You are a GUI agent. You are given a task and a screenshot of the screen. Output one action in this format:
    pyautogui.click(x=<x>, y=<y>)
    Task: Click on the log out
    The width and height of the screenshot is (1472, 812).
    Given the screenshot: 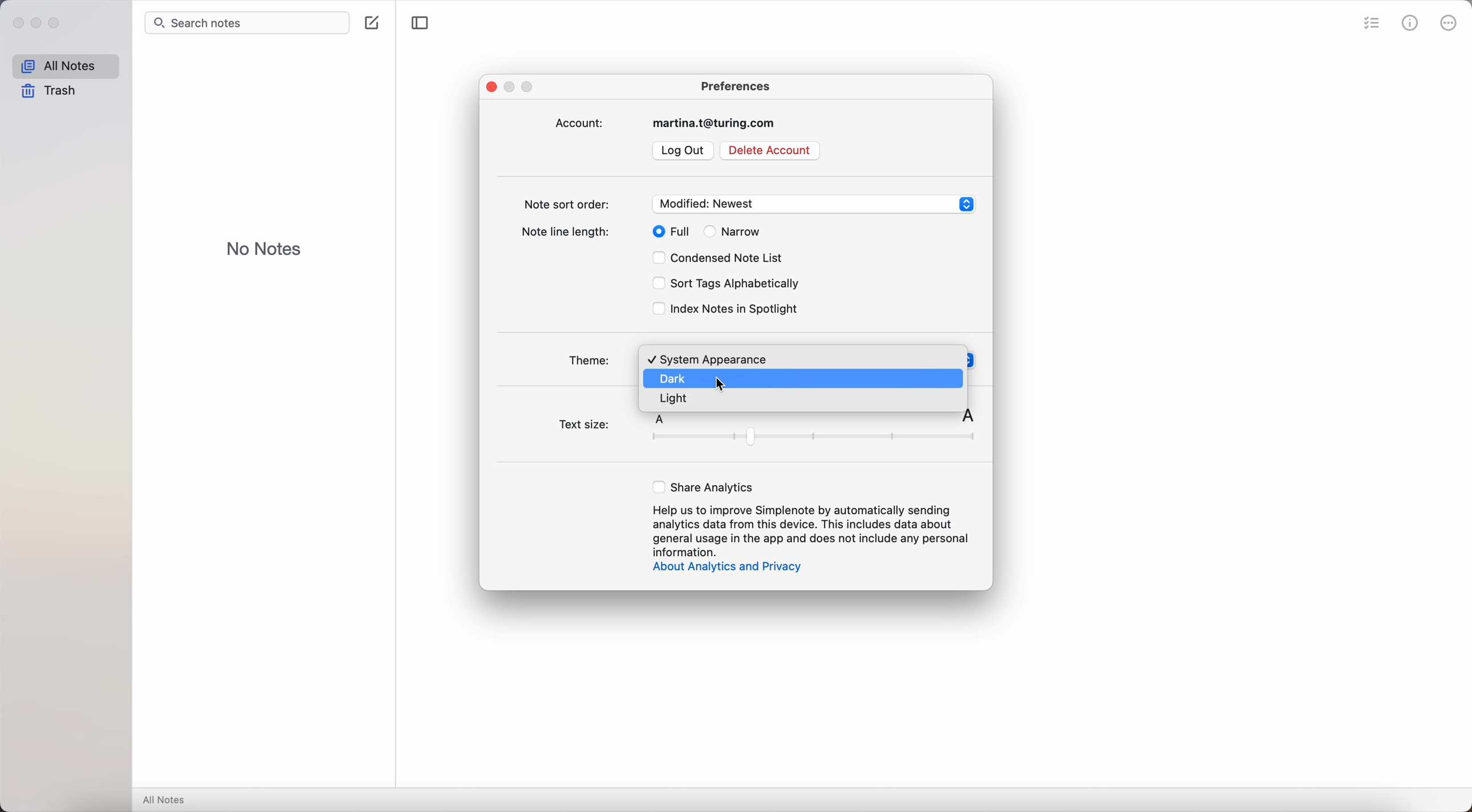 What is the action you would take?
    pyautogui.click(x=683, y=151)
    